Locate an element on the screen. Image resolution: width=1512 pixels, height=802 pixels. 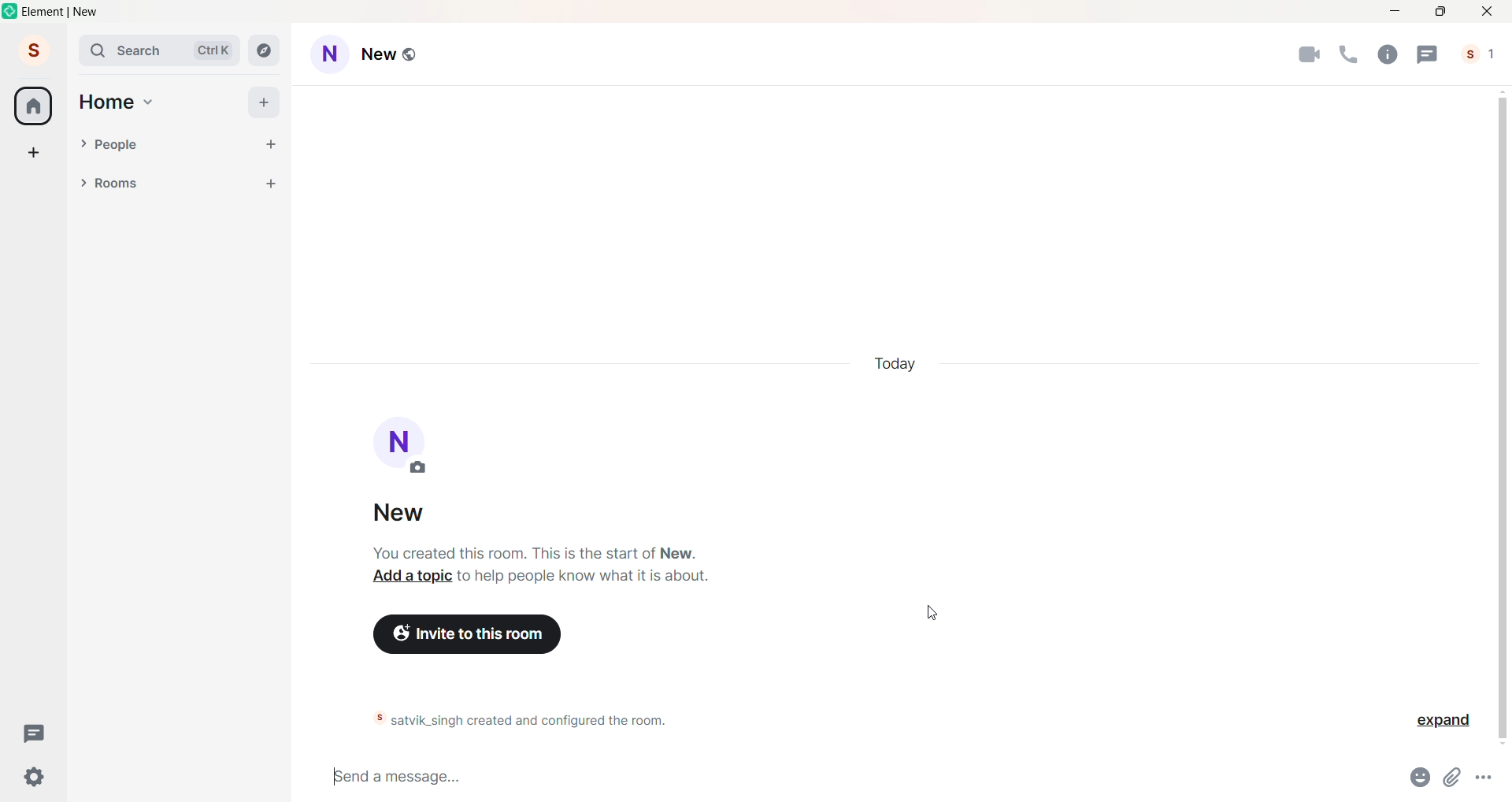
people Drop down is located at coordinates (83, 143).